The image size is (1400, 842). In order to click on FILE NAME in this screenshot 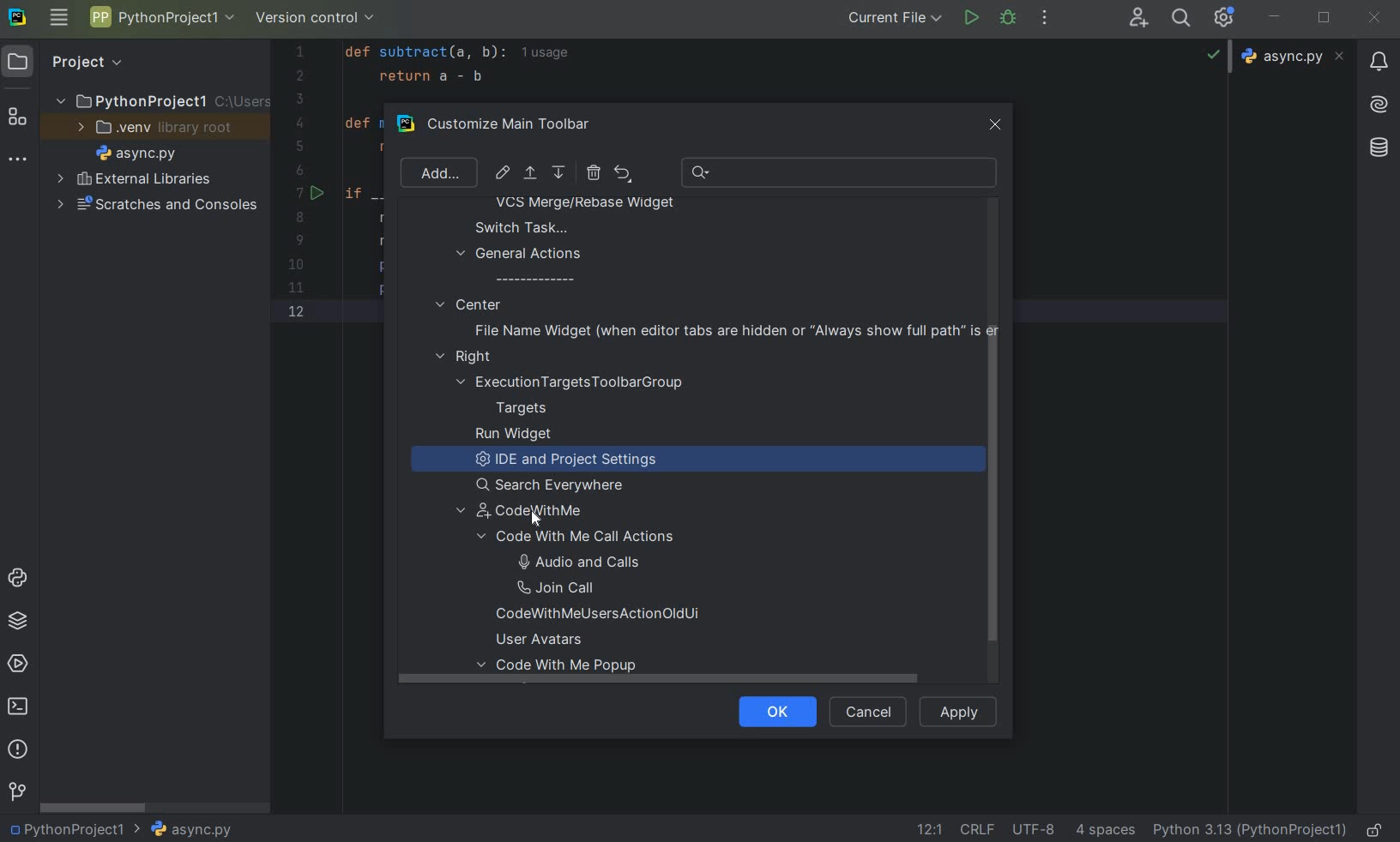, I will do `click(190, 830)`.